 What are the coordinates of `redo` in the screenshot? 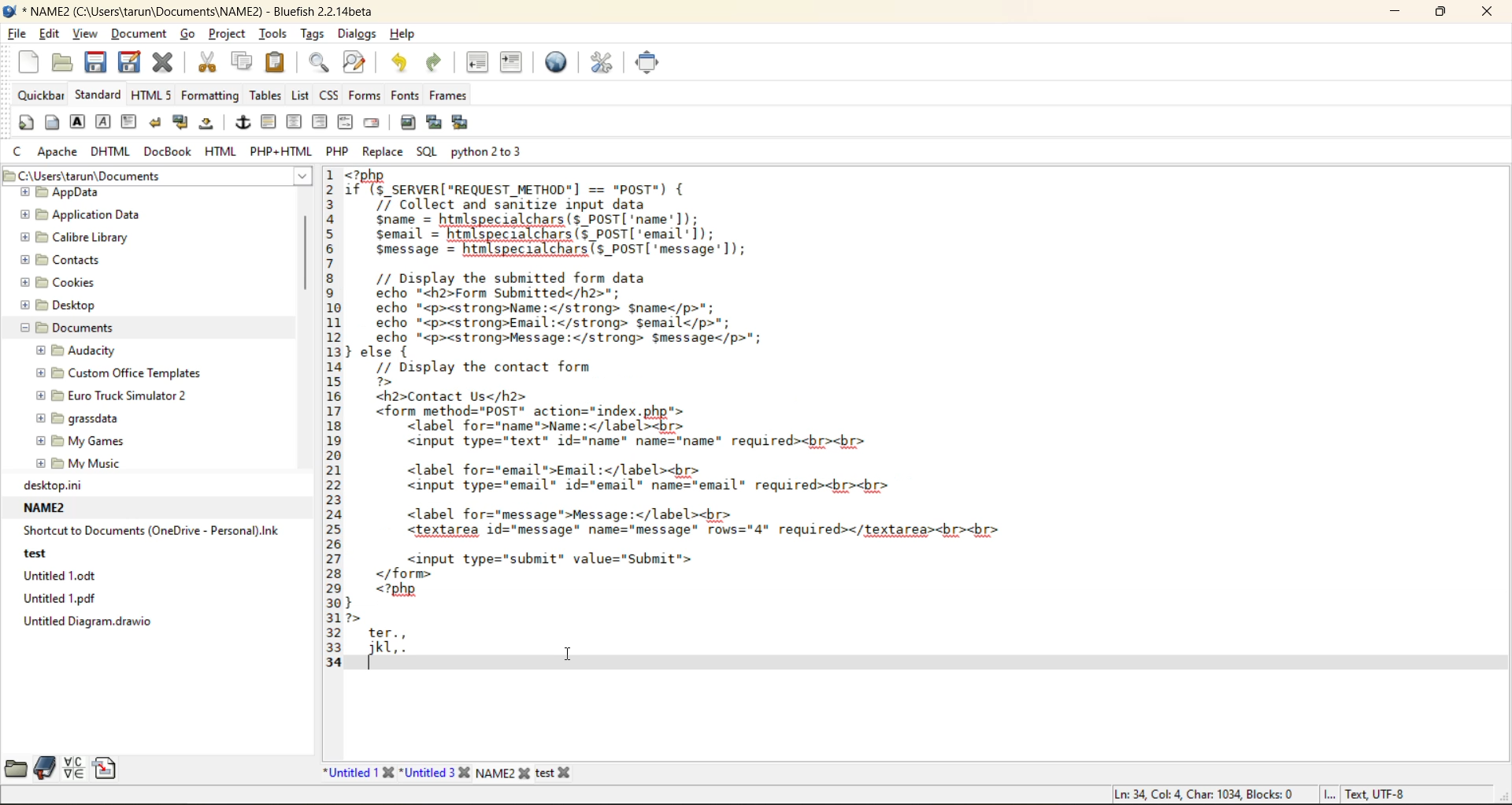 It's located at (443, 61).